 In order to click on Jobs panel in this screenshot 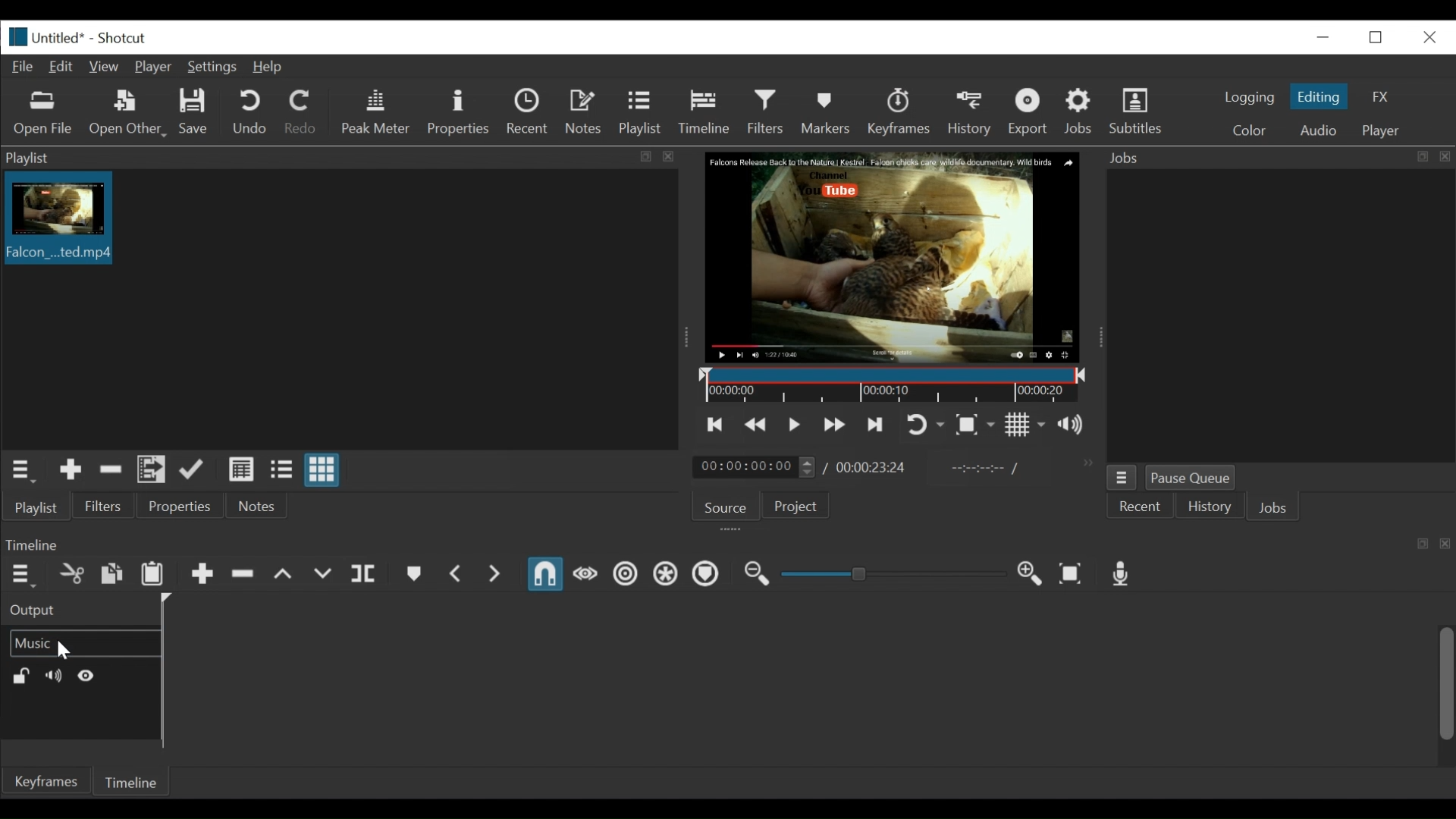, I will do `click(1272, 315)`.